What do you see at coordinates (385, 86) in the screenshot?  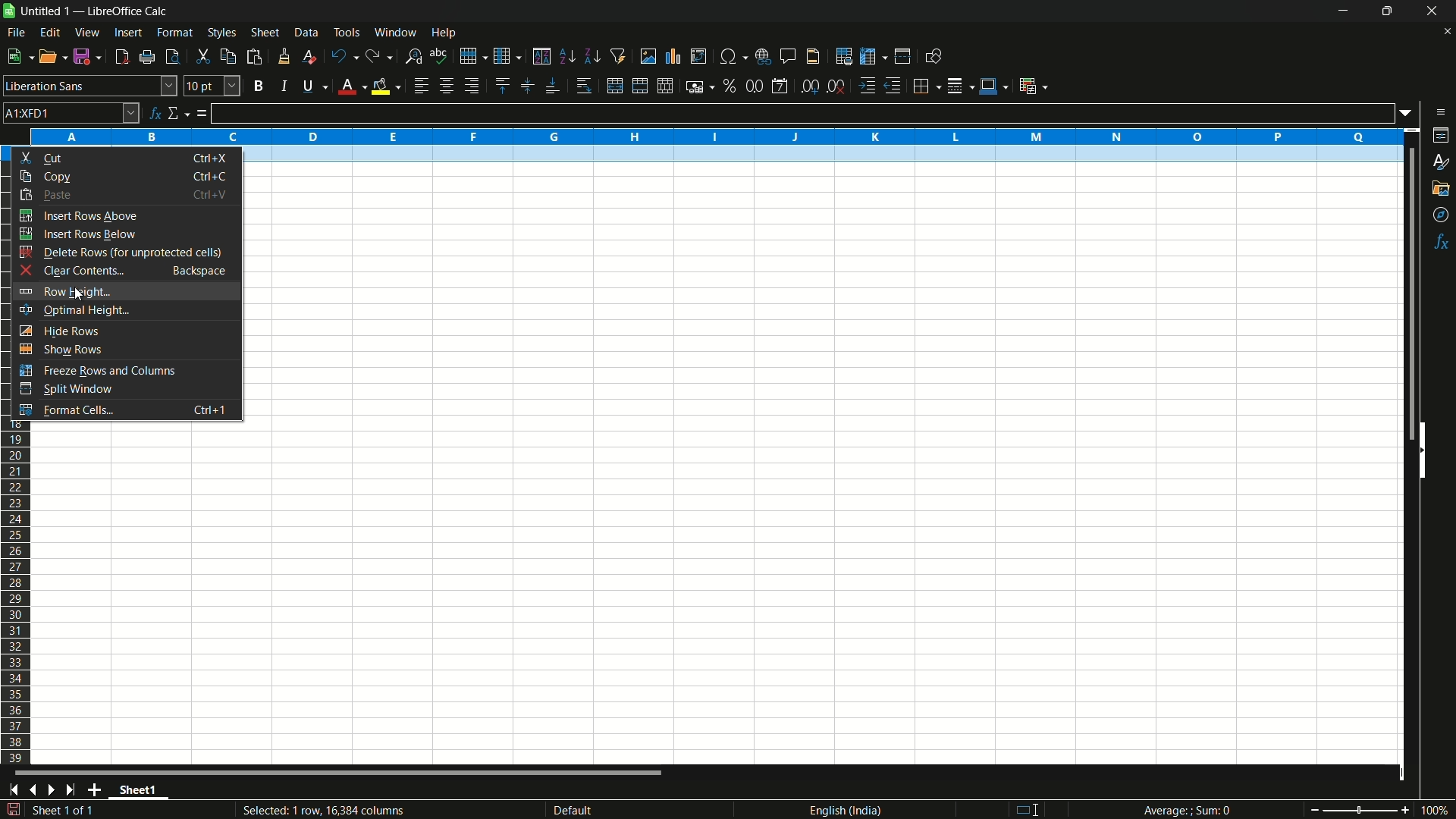 I see `background fill` at bounding box center [385, 86].